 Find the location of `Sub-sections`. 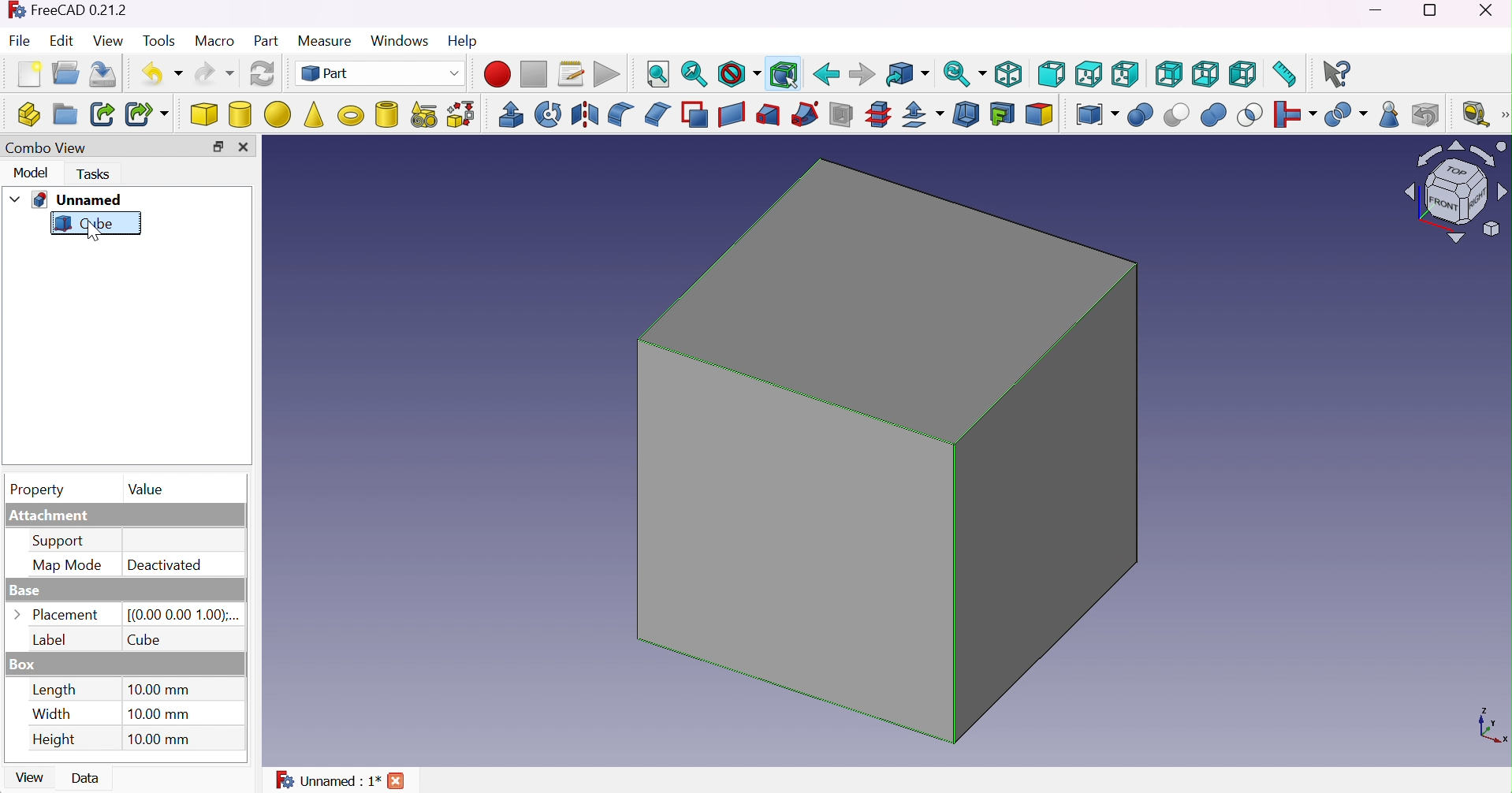

Sub-sections is located at coordinates (877, 116).